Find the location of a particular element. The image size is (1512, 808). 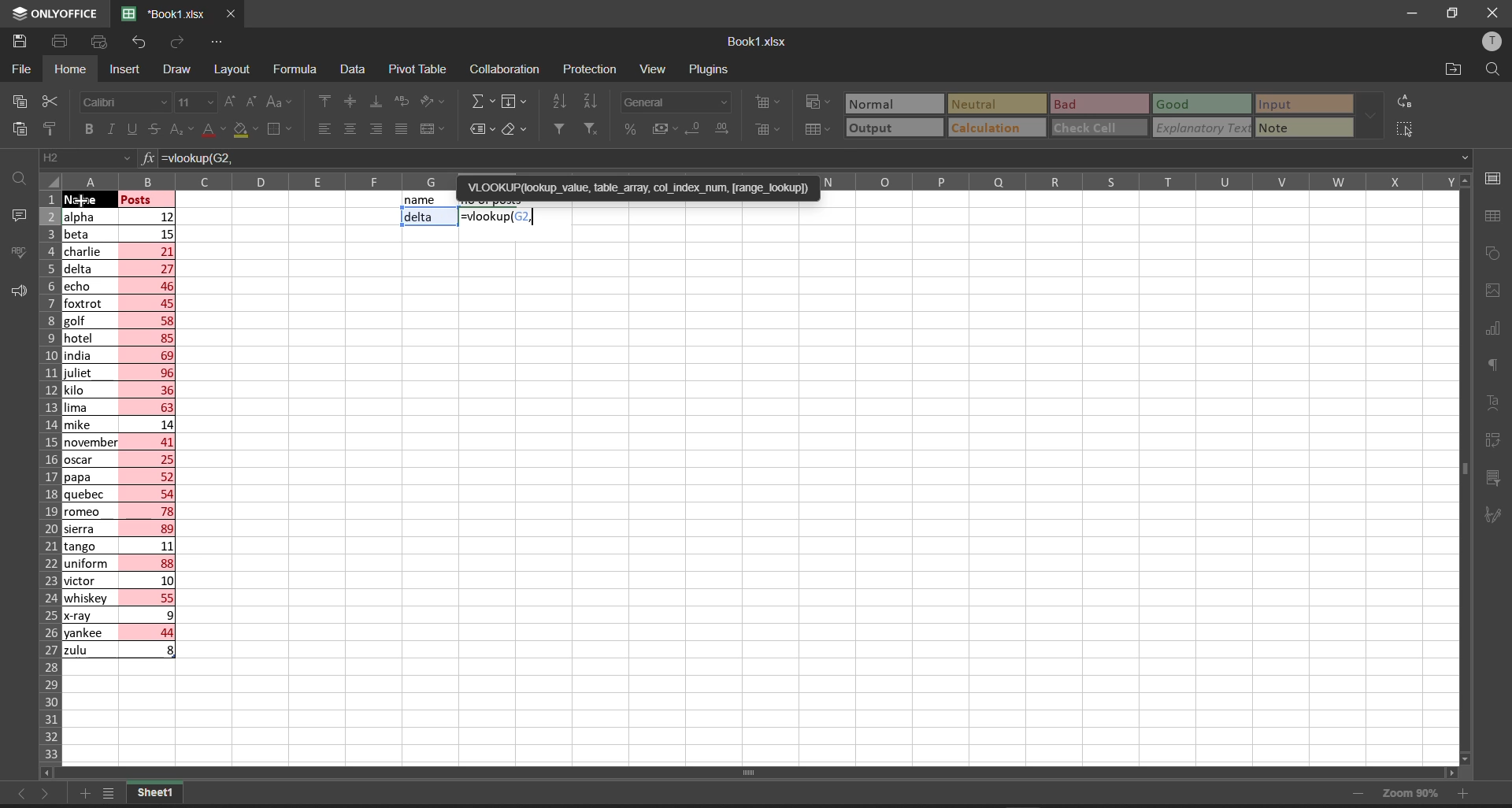

scroll up is located at coordinates (1461, 180).